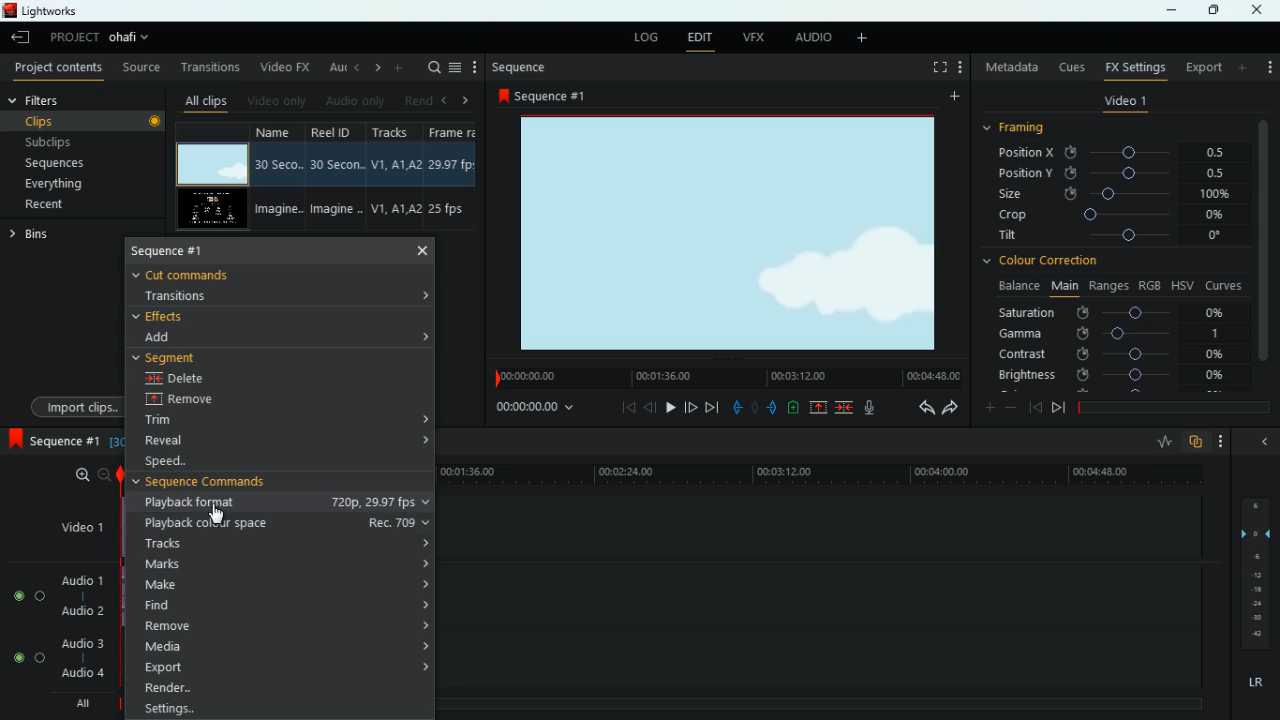 This screenshot has width=1280, height=720. What do you see at coordinates (537, 409) in the screenshot?
I see `time` at bounding box center [537, 409].